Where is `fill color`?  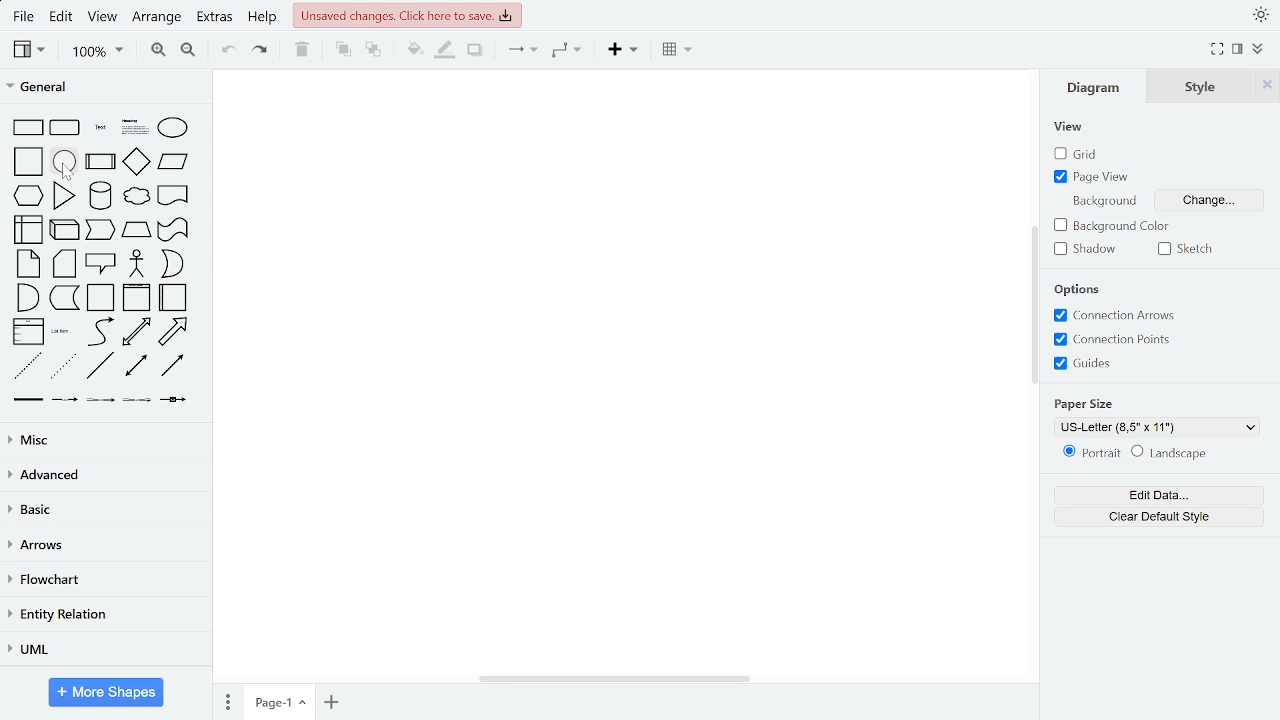 fill color is located at coordinates (415, 51).